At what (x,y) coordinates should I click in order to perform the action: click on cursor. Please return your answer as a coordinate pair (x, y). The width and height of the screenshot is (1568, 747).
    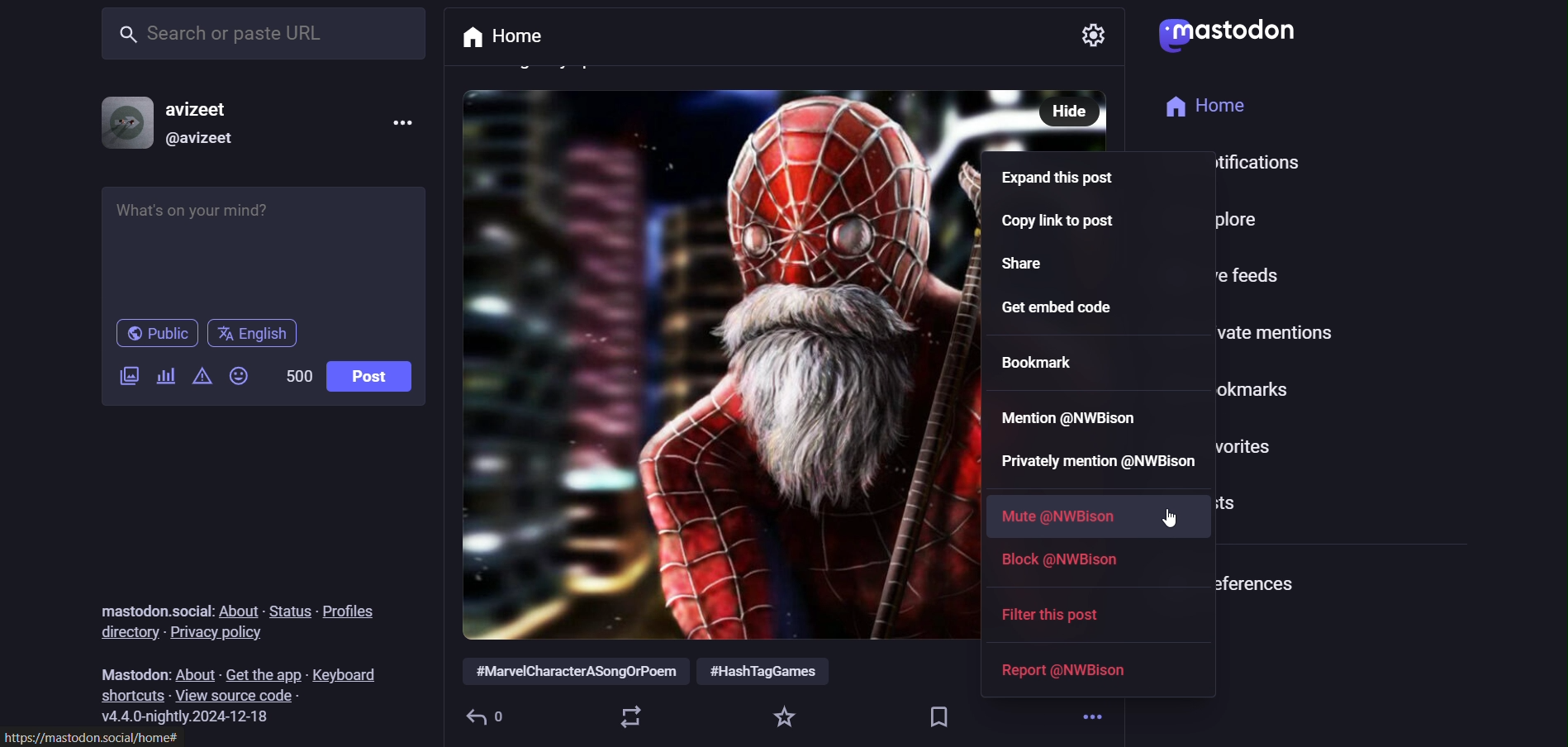
    Looking at the image, I should click on (1169, 516).